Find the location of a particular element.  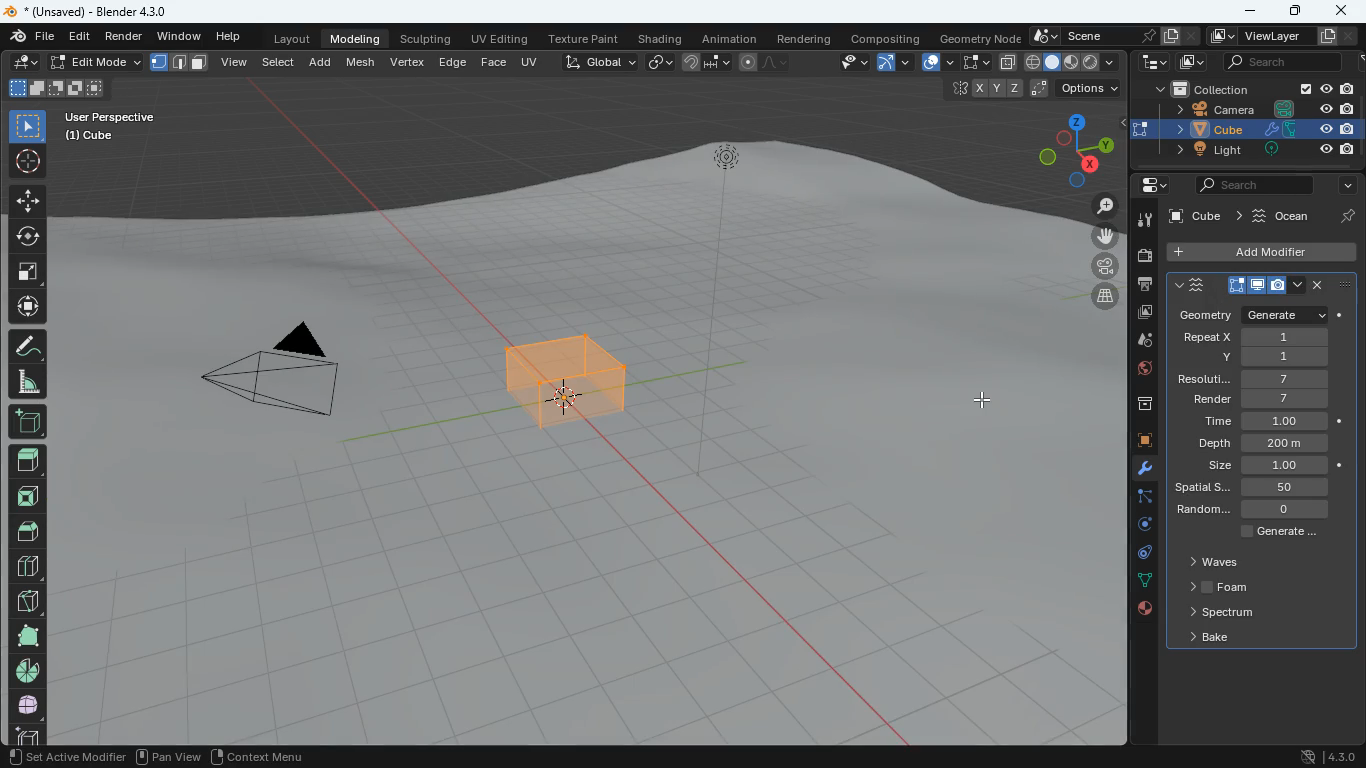

repeat x is located at coordinates (1253, 337).